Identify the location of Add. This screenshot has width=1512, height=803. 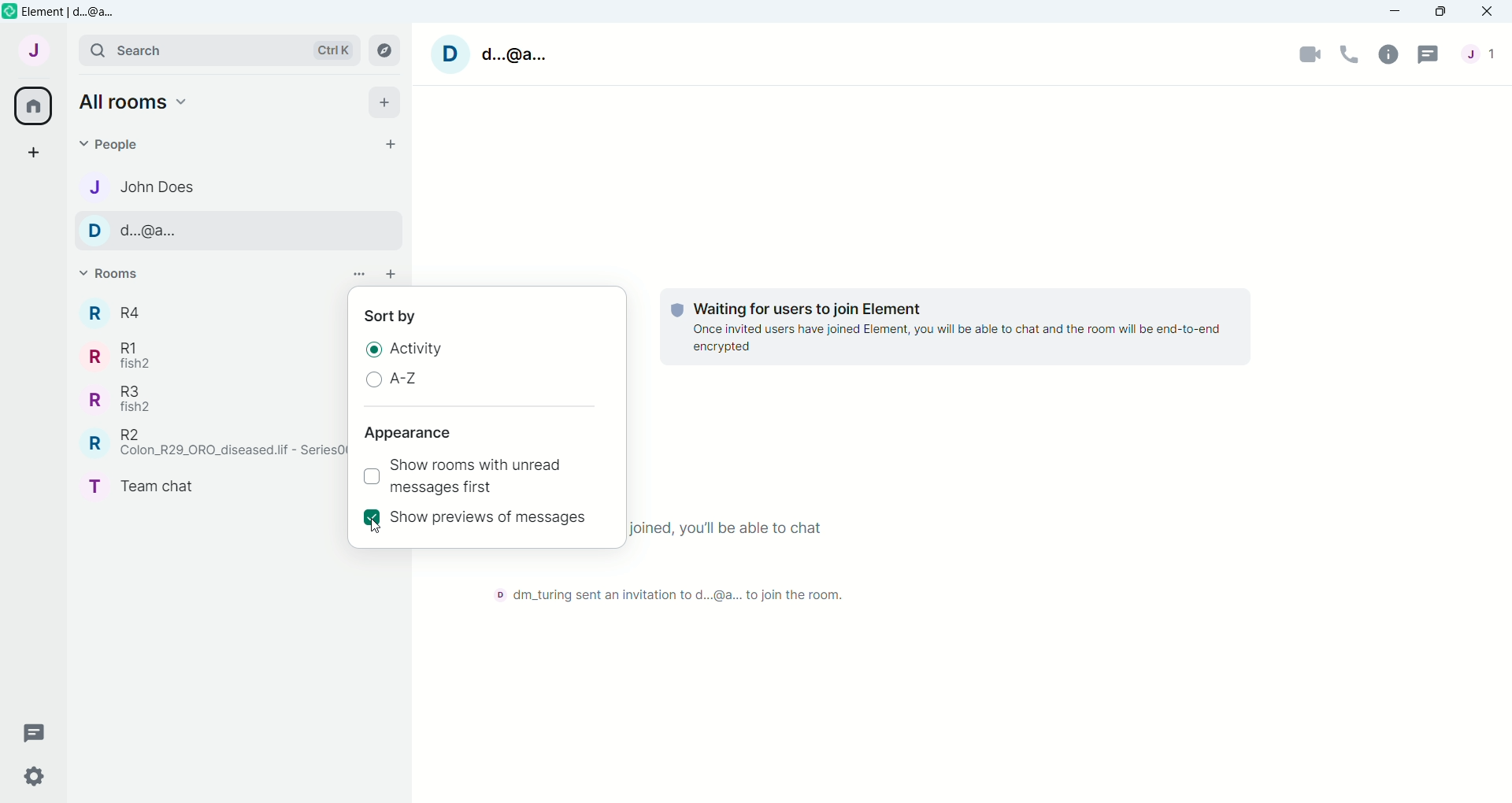
(384, 104).